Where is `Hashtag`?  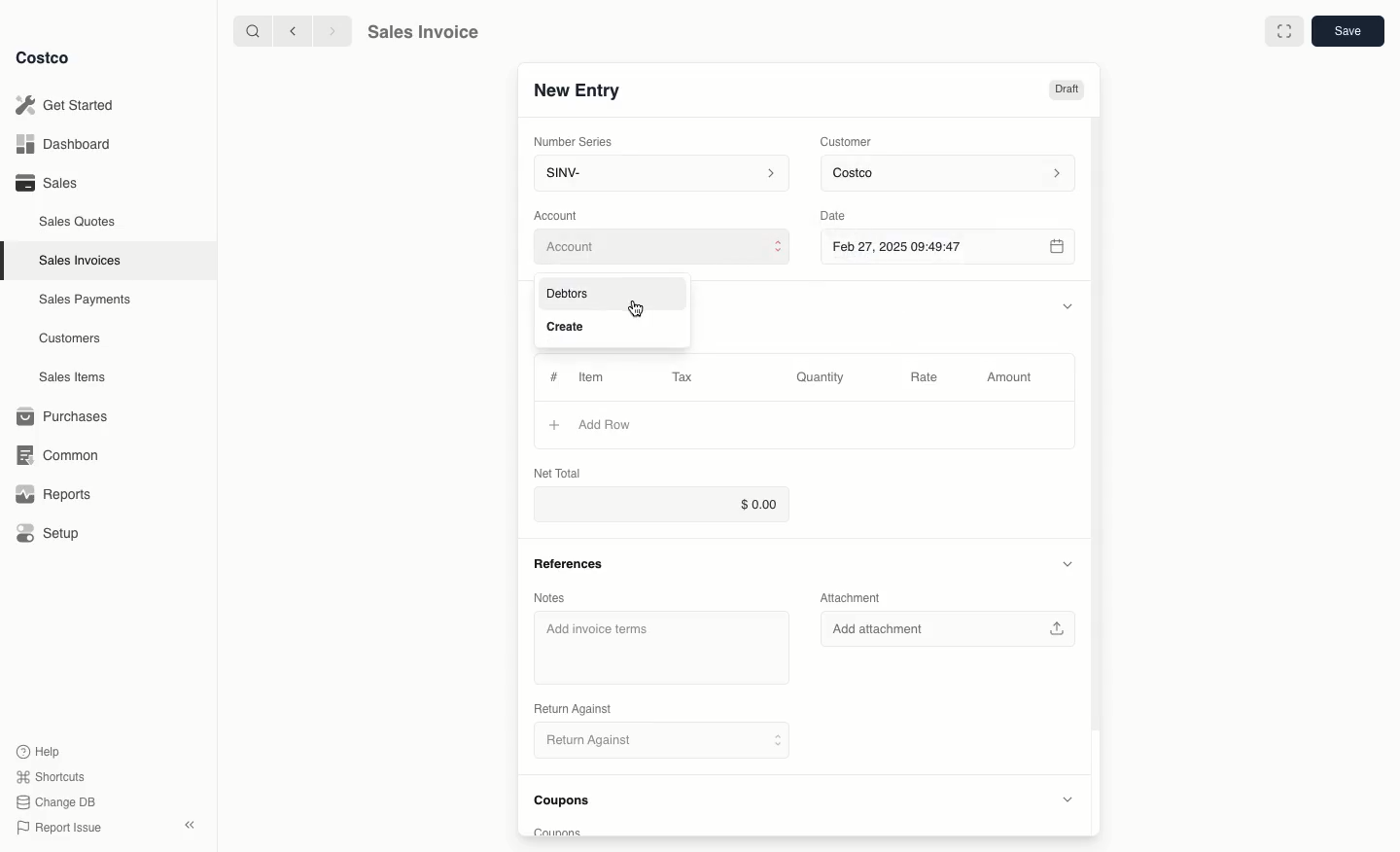 Hashtag is located at coordinates (553, 377).